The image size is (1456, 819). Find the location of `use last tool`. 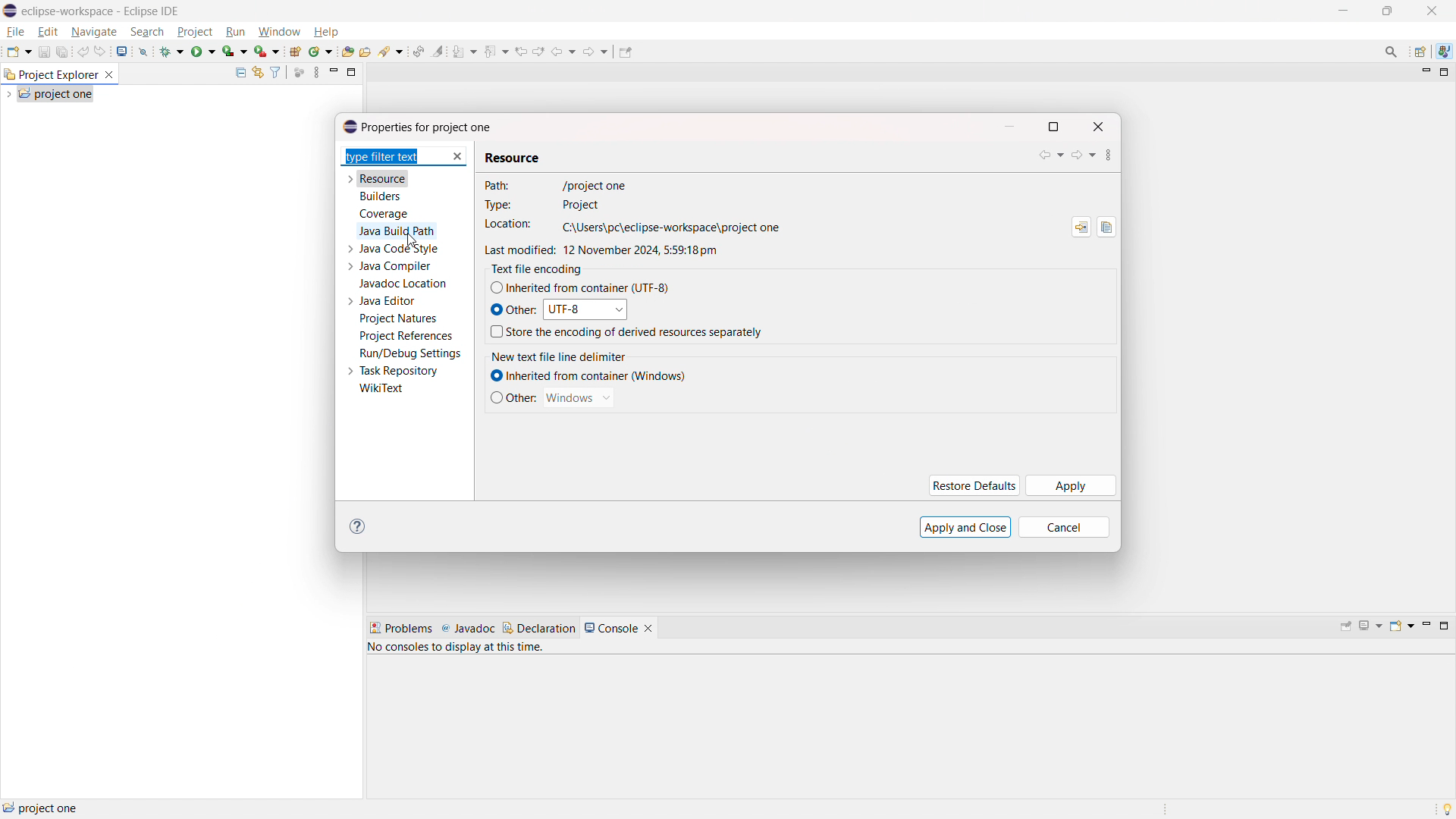

use last tool is located at coordinates (266, 52).